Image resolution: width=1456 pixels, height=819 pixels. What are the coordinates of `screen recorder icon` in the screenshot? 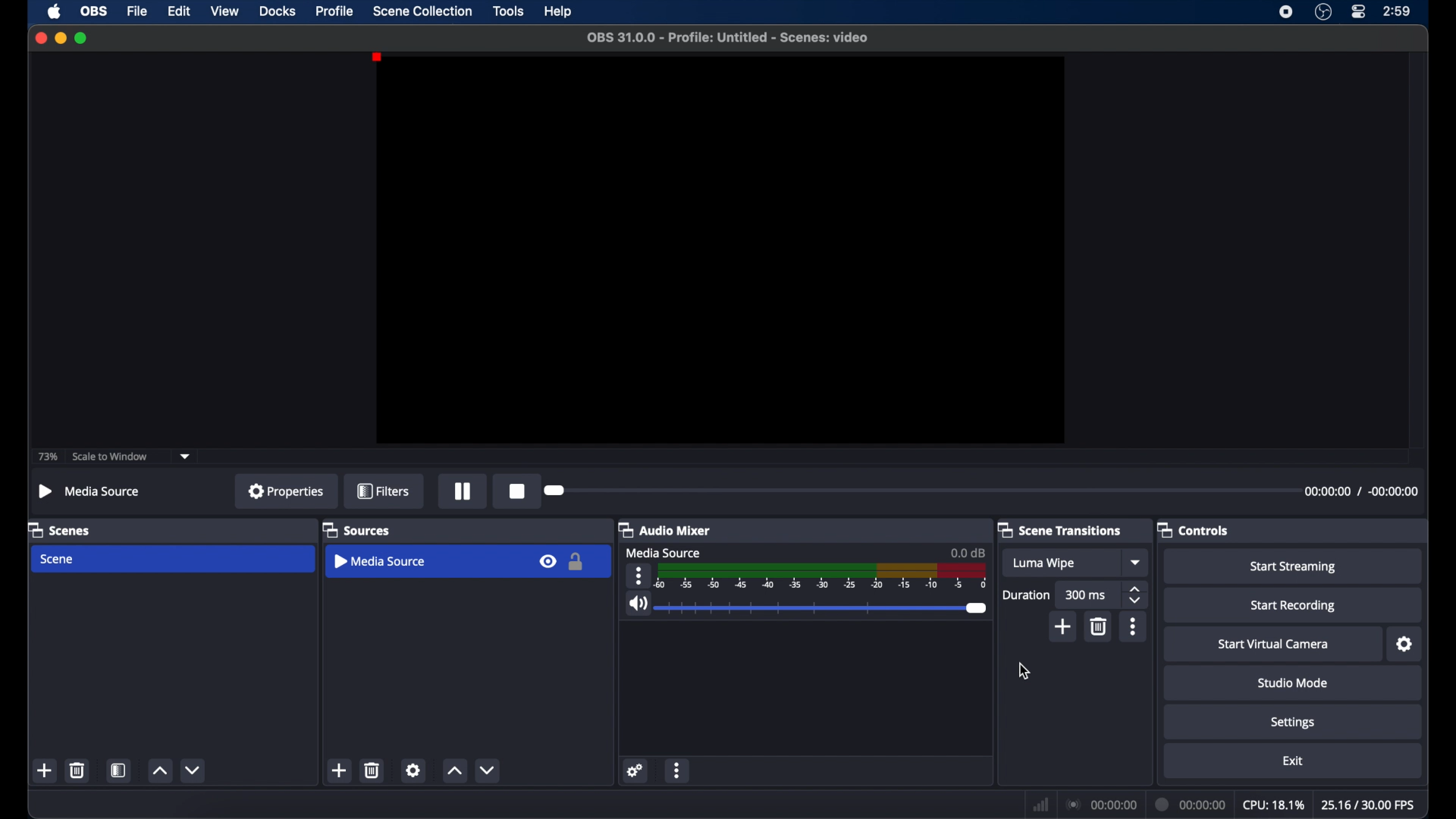 It's located at (1287, 12).